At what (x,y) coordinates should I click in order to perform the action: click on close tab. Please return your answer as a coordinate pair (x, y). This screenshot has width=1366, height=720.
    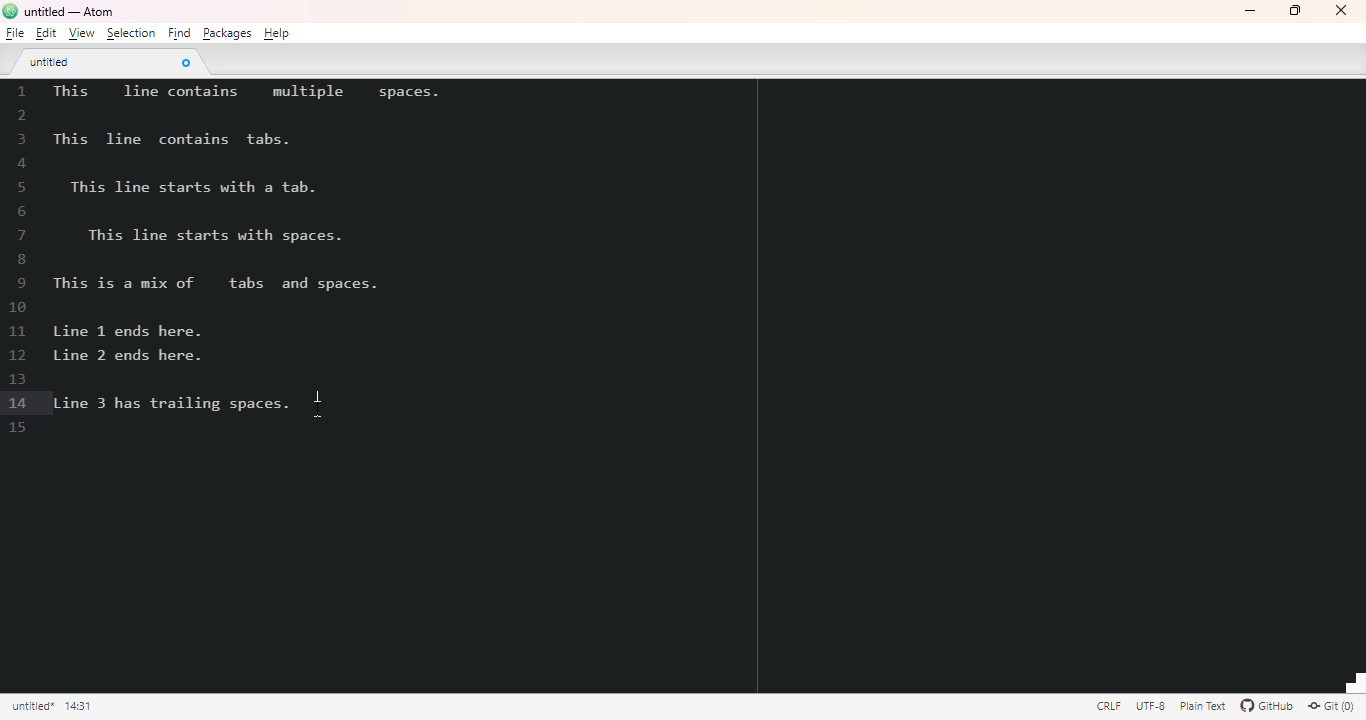
    Looking at the image, I should click on (185, 62).